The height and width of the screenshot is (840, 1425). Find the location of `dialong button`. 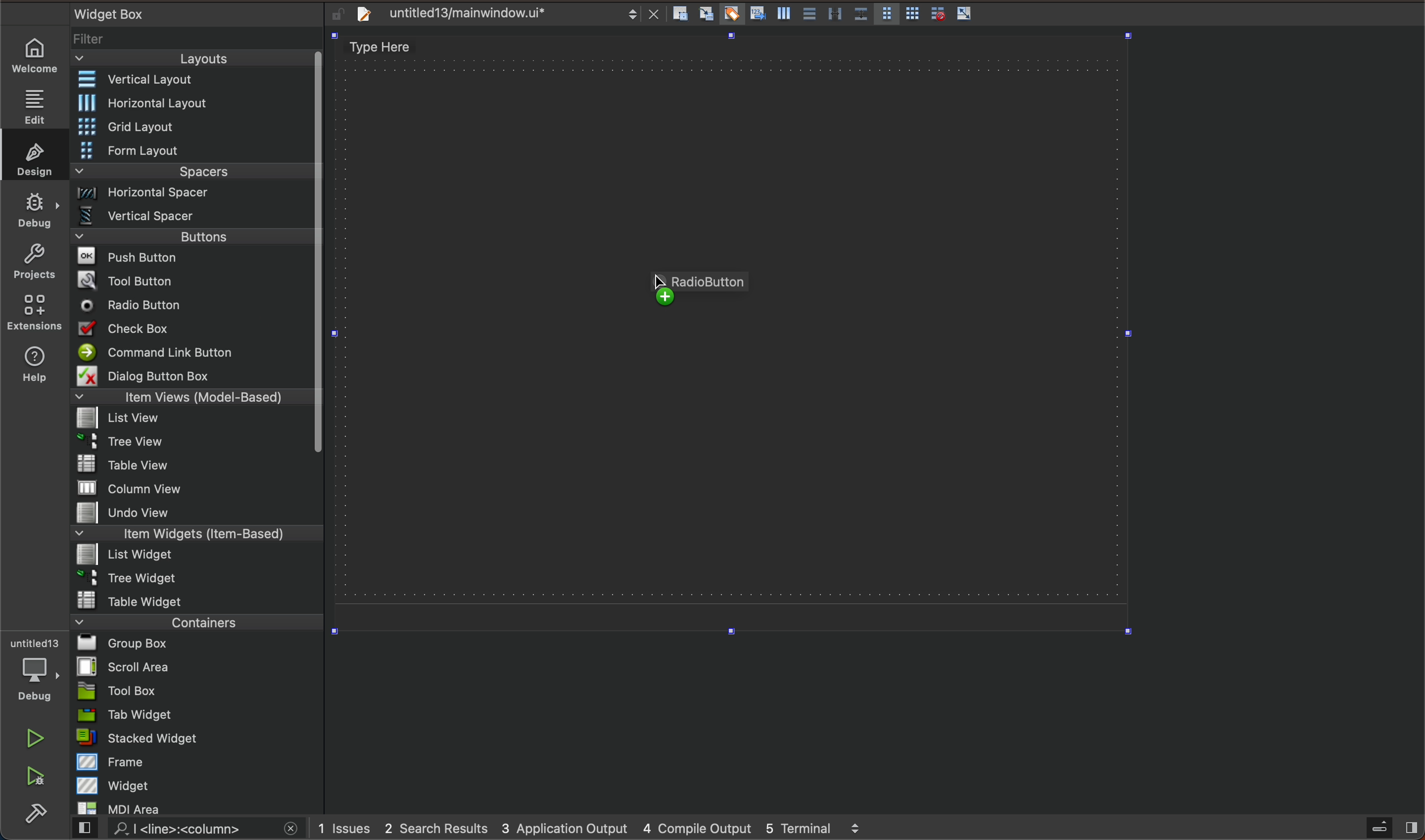

dialong button is located at coordinates (190, 377).